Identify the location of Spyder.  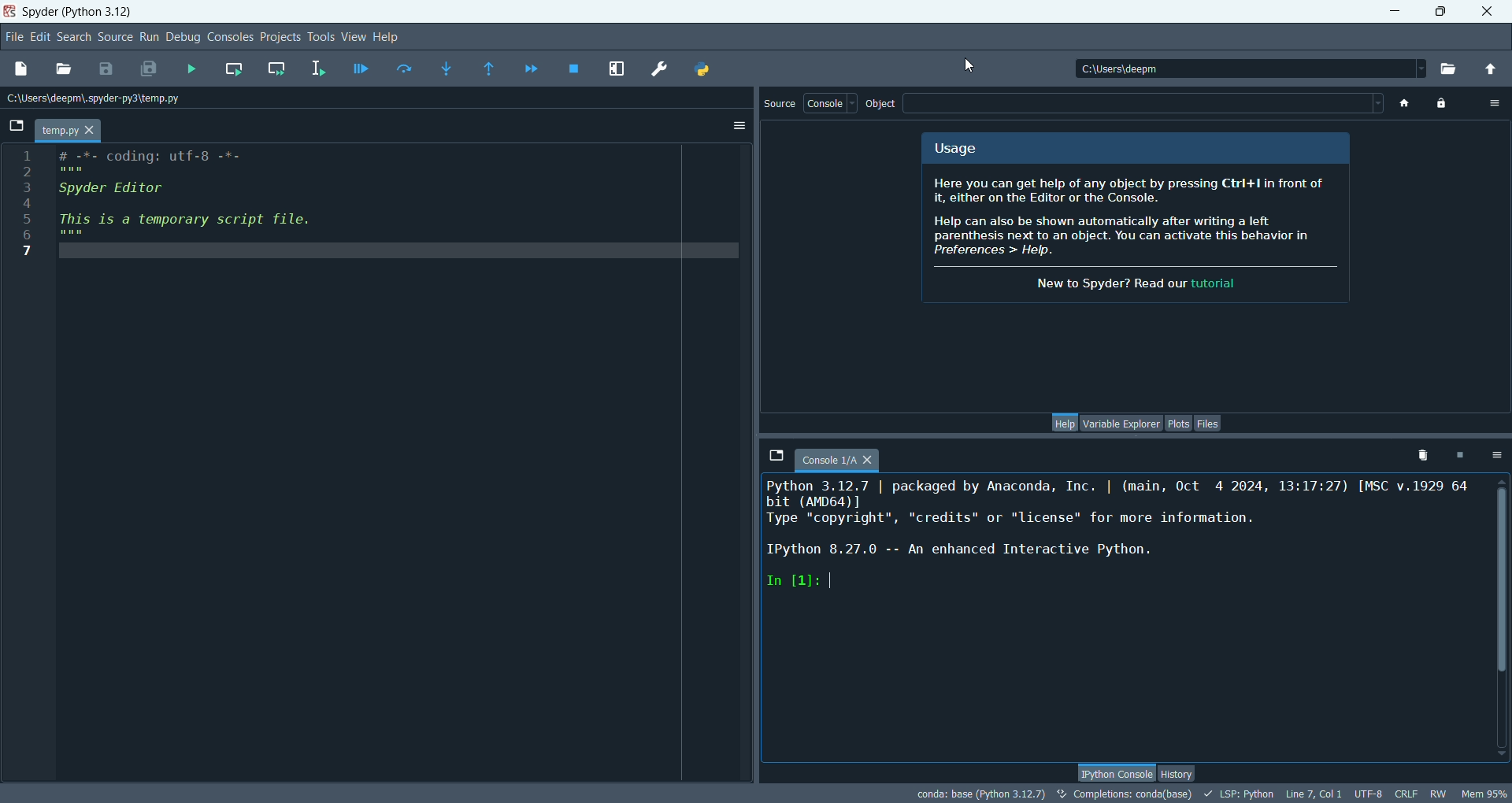
(81, 13).